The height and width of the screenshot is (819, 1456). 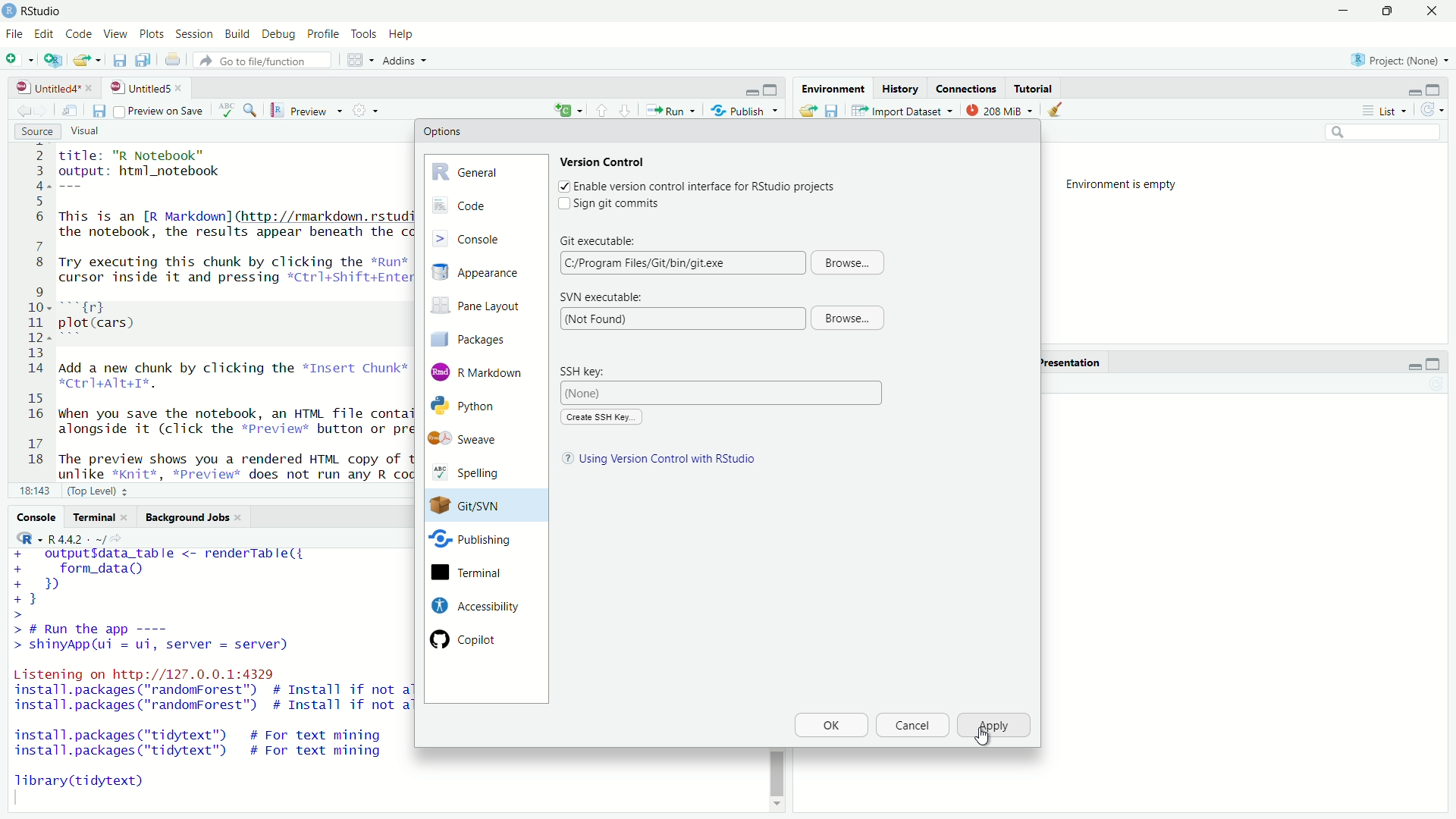 I want to click on Project: (None) , so click(x=1395, y=58).